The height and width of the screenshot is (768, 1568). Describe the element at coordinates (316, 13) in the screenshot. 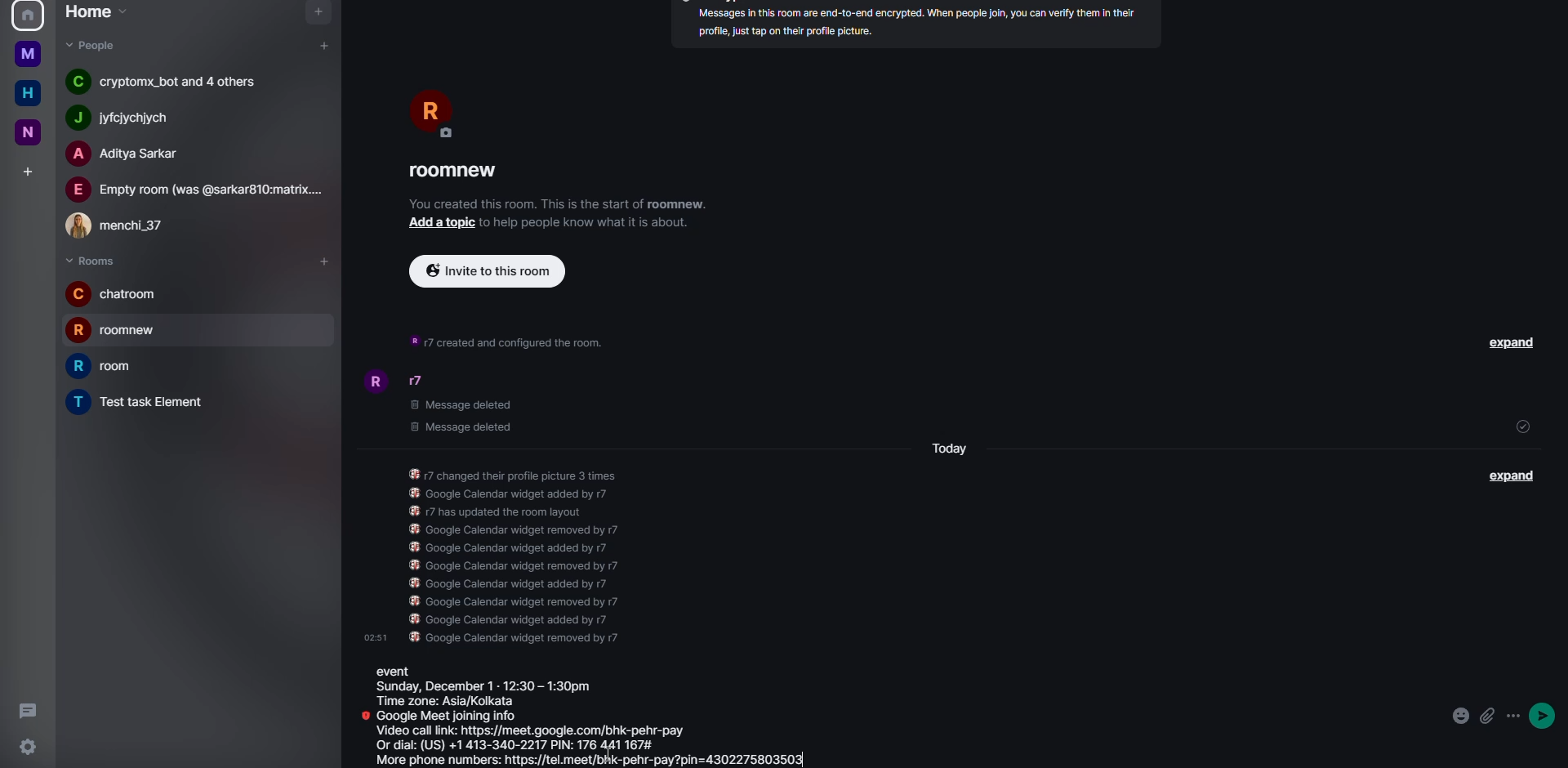

I see `navigator` at that location.